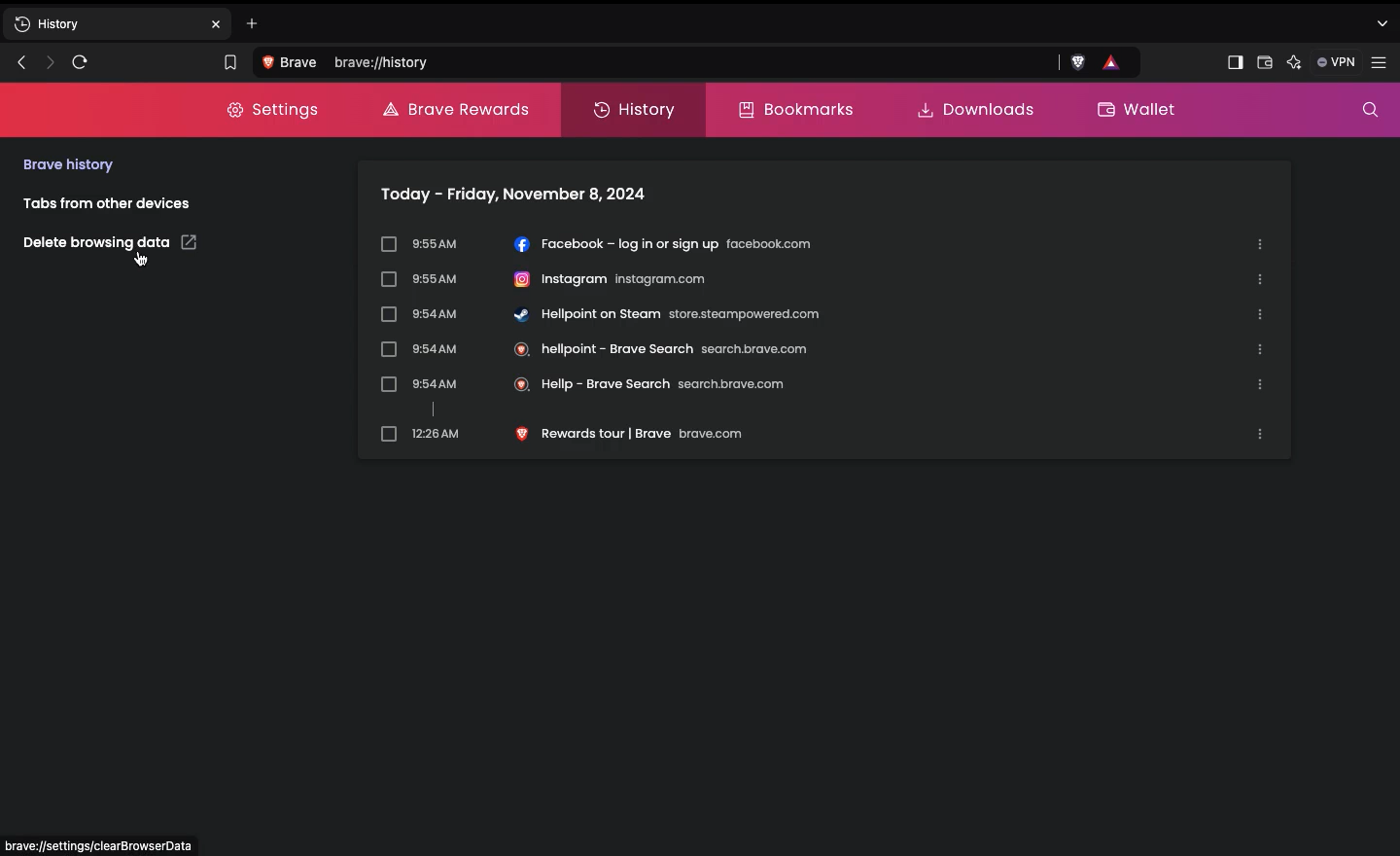 This screenshot has height=856, width=1400. Describe the element at coordinates (62, 164) in the screenshot. I see `Brave history` at that location.